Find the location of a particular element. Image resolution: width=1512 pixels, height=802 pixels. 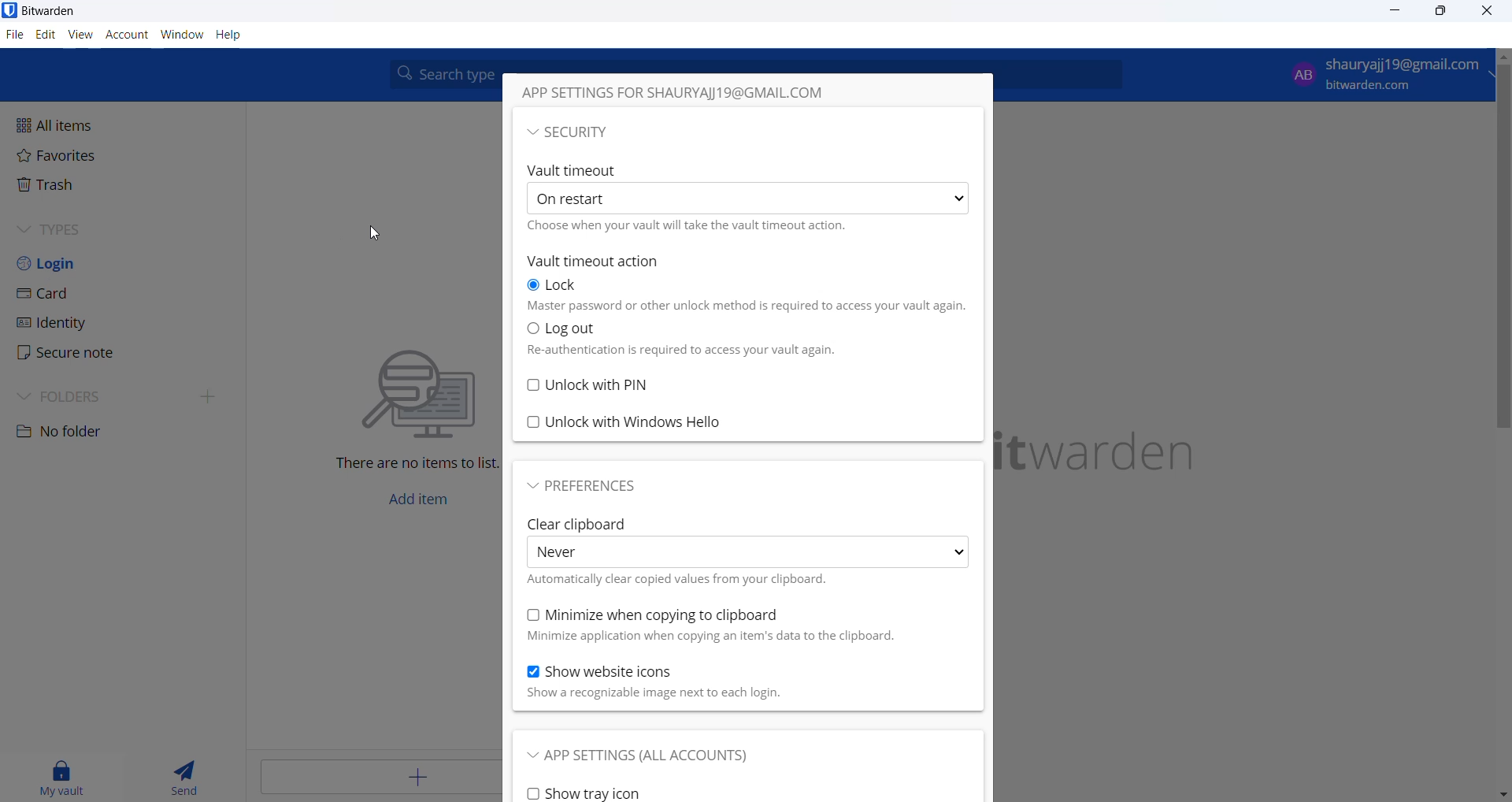

maximize is located at coordinates (1435, 12).